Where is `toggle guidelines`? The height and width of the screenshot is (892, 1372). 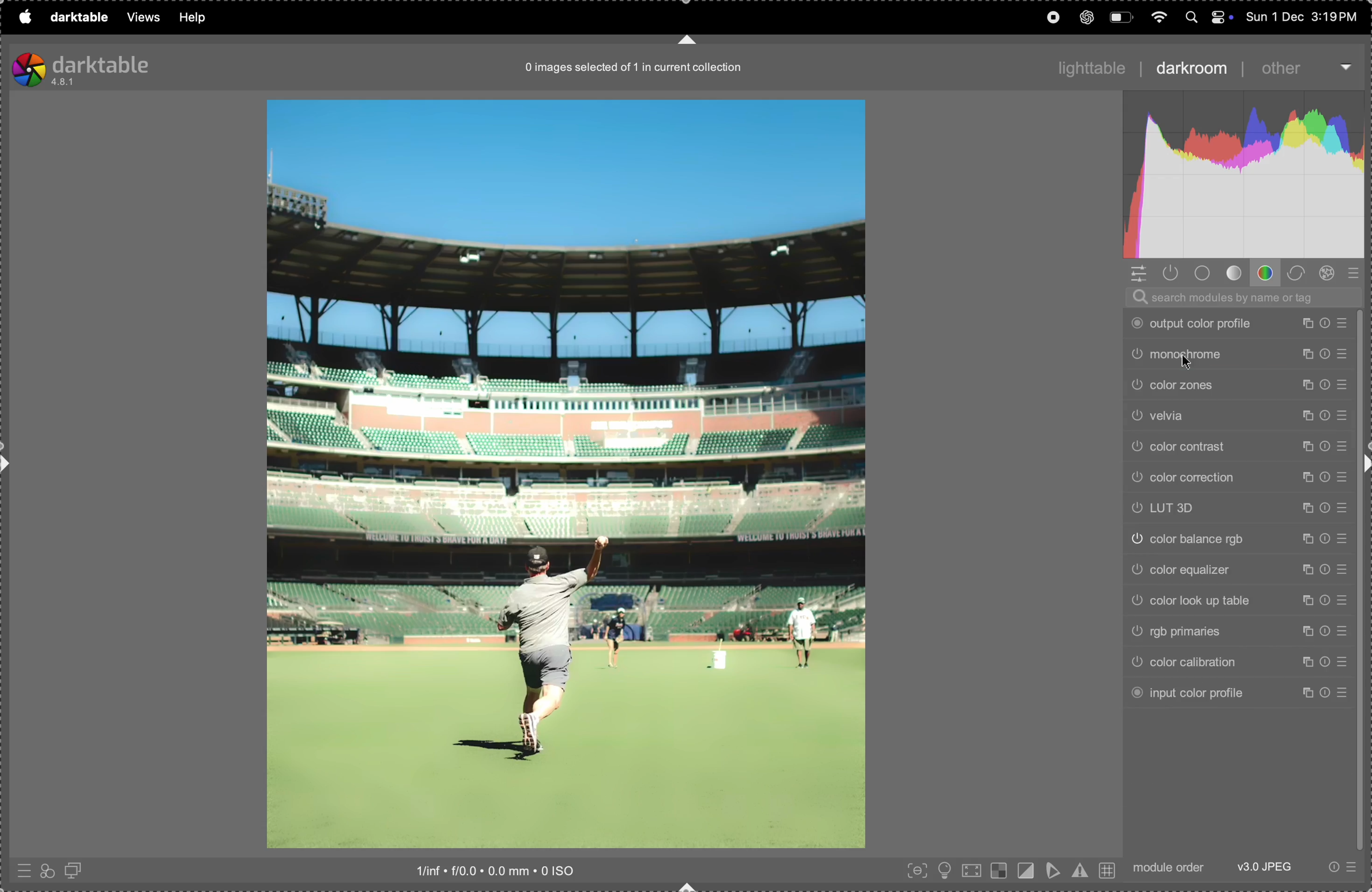 toggle guidelines is located at coordinates (1107, 871).